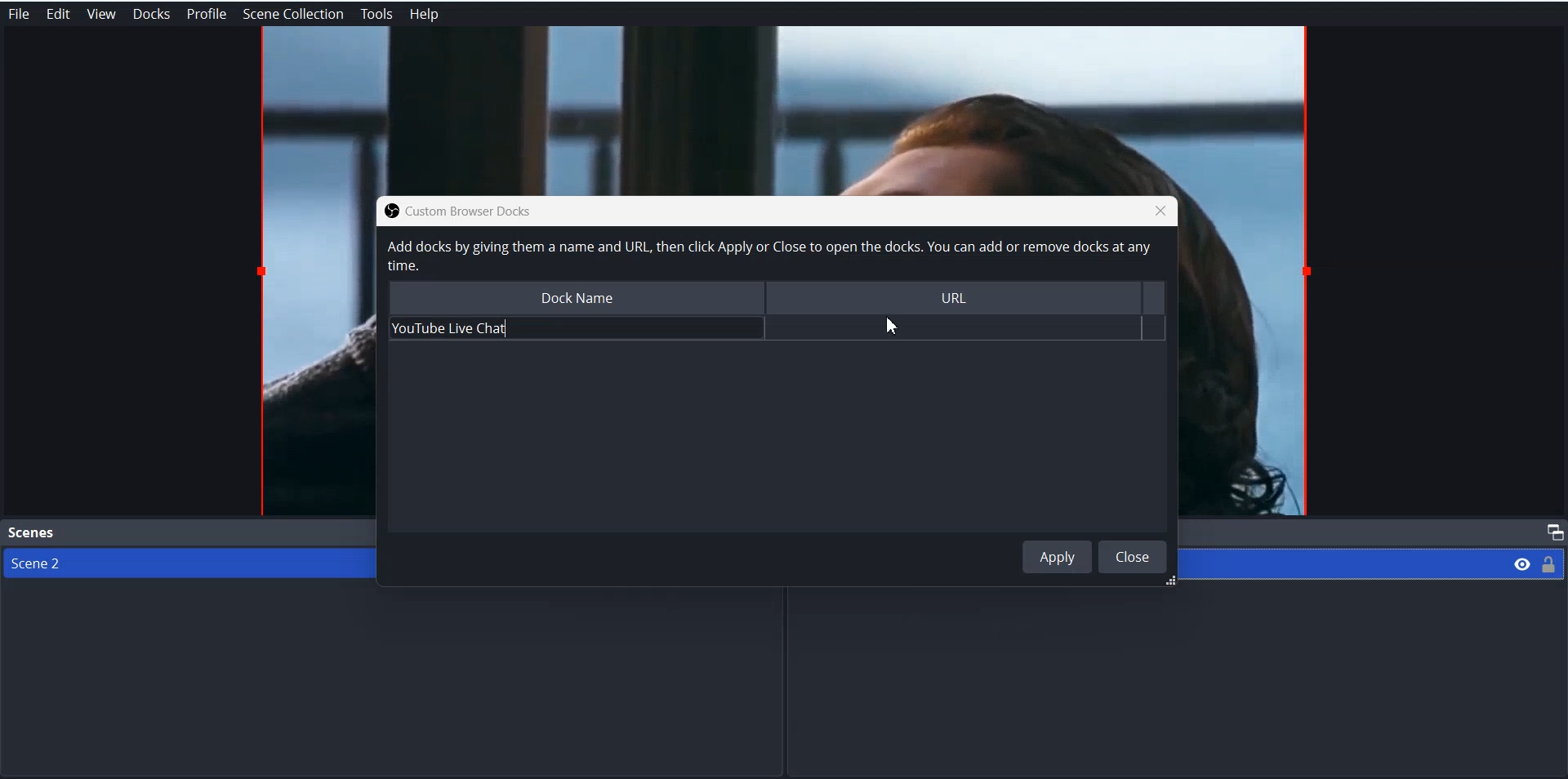 The image size is (1568, 779). I want to click on Profile, so click(207, 14).